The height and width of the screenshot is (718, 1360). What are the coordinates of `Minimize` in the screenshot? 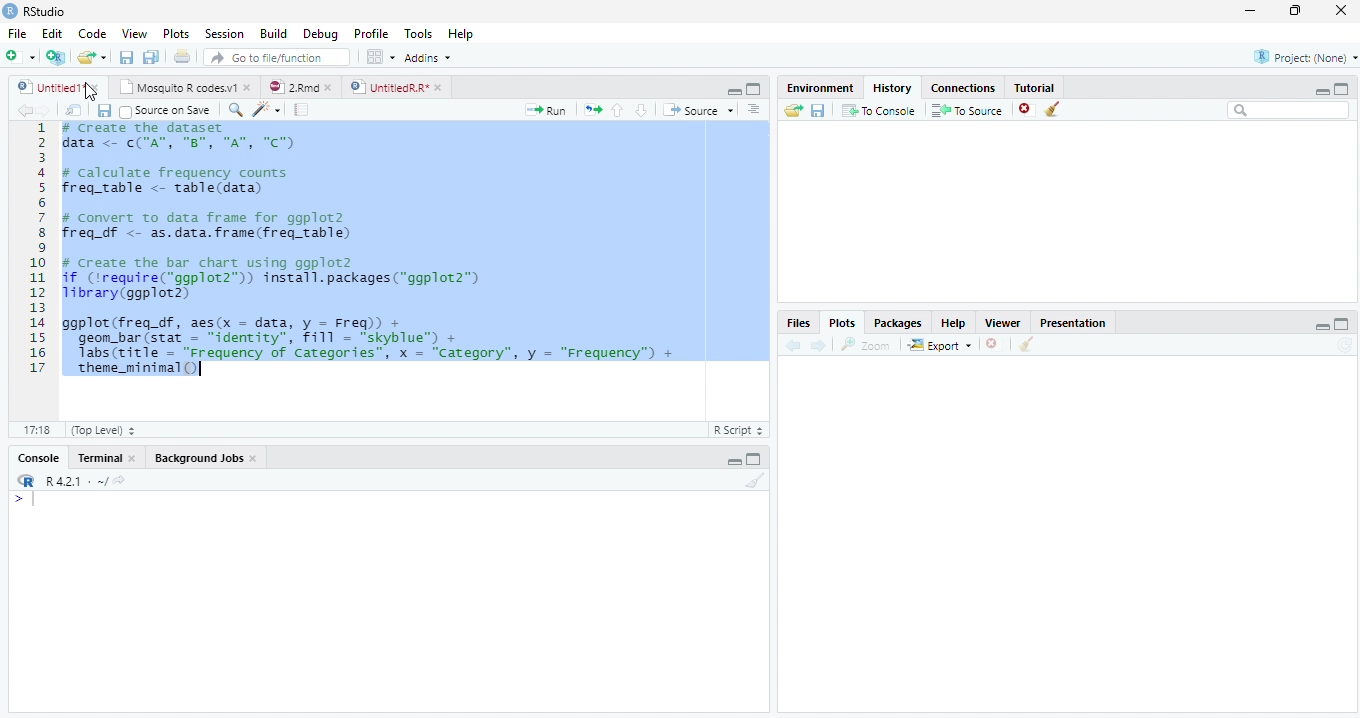 It's located at (1321, 92).